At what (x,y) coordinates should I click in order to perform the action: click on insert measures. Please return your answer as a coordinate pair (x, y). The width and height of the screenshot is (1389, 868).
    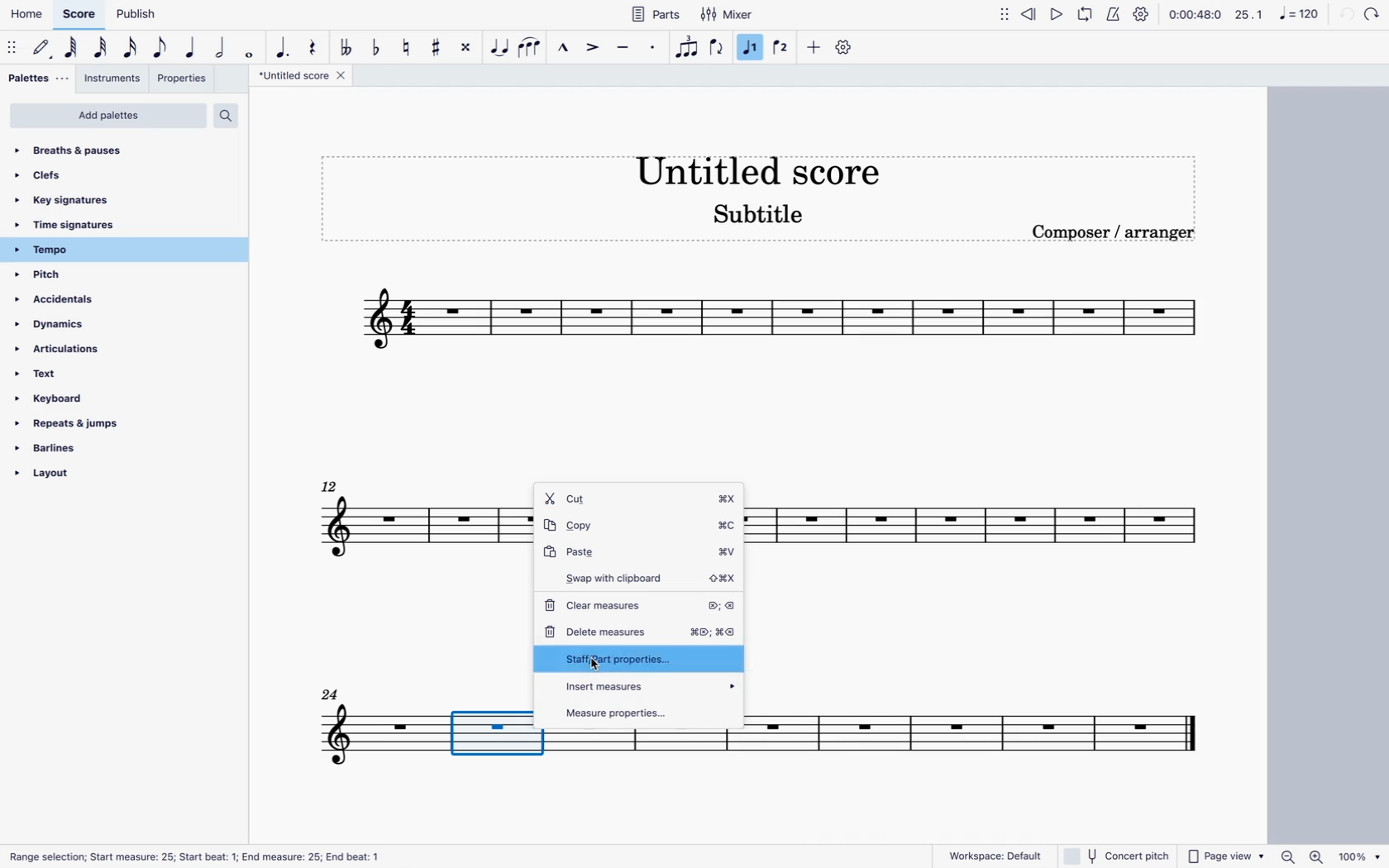
    Looking at the image, I should click on (642, 685).